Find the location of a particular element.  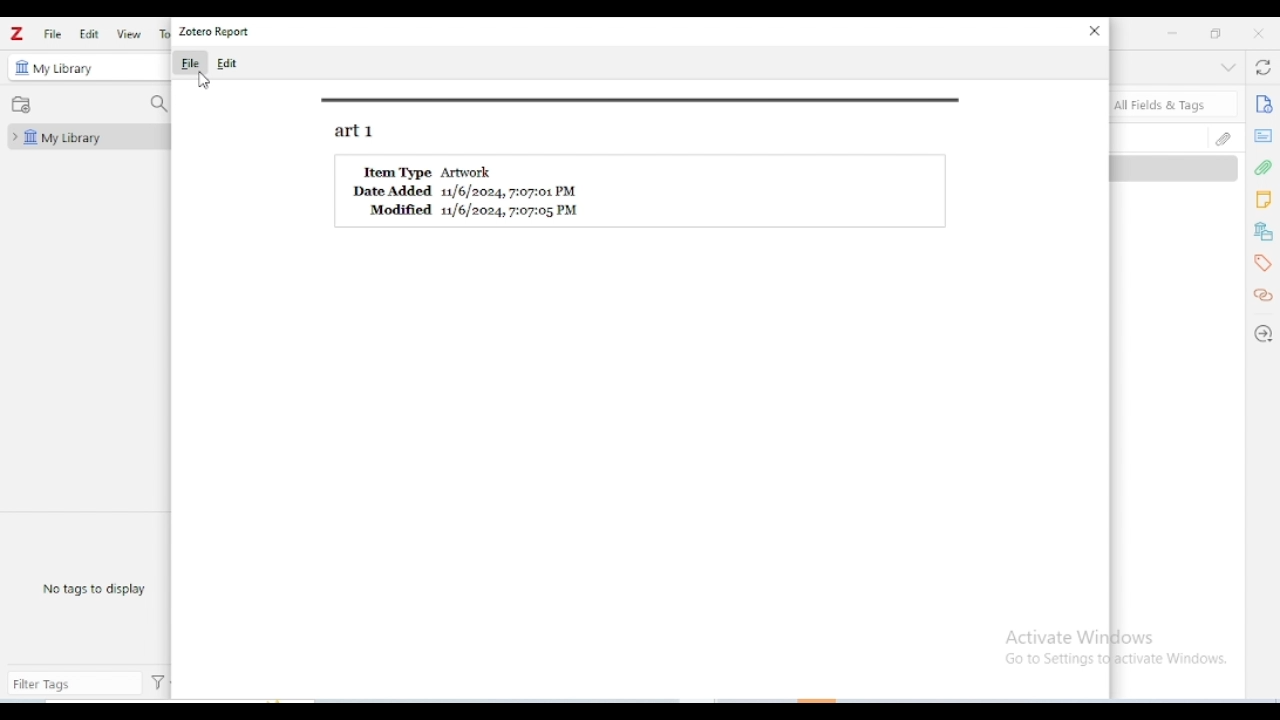

attachments is located at coordinates (1223, 138).